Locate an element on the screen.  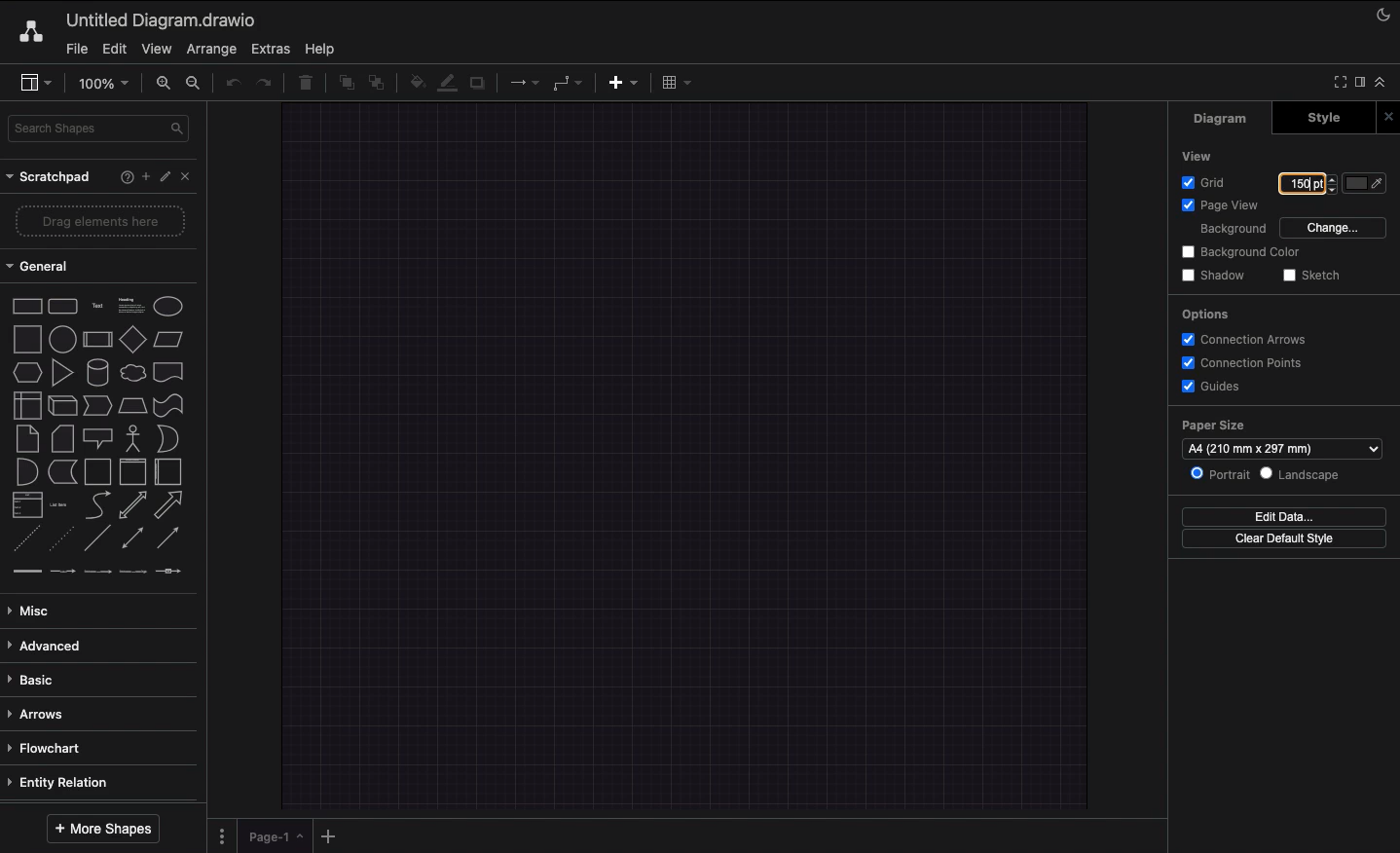
Portrait is located at coordinates (1222, 475).